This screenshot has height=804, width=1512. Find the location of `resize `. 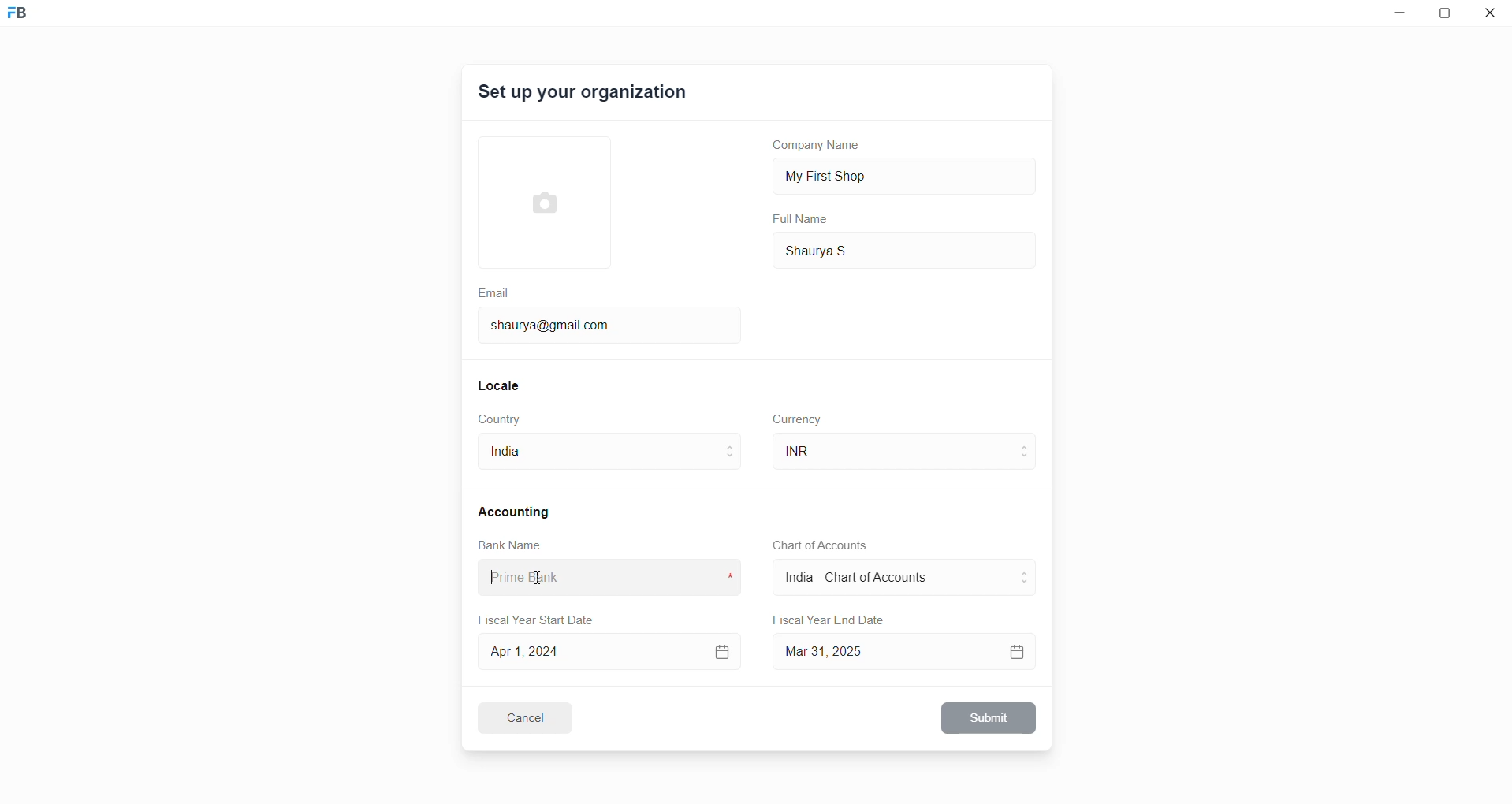

resize  is located at coordinates (1449, 16).